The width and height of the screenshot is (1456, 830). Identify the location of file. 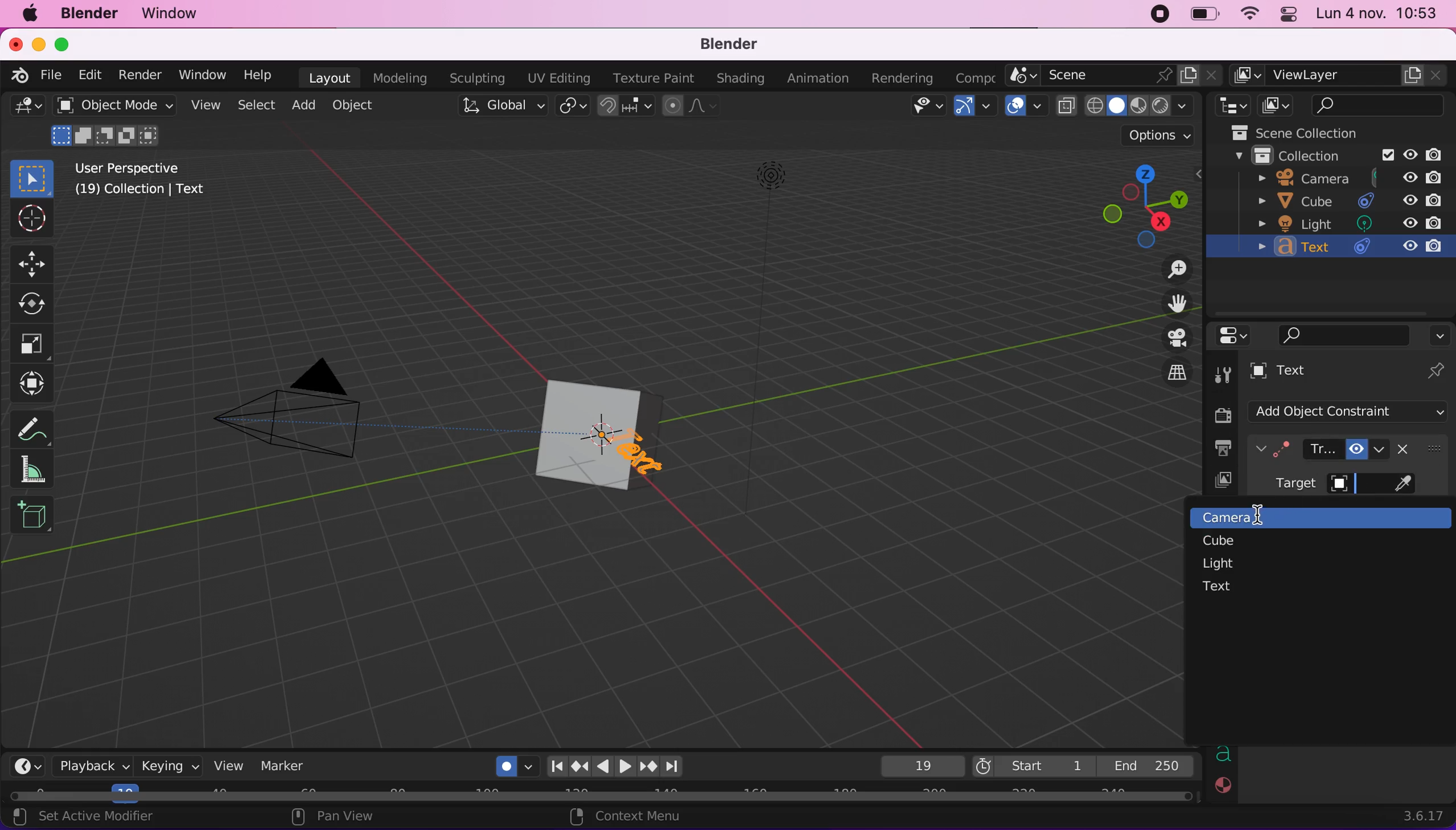
(52, 74).